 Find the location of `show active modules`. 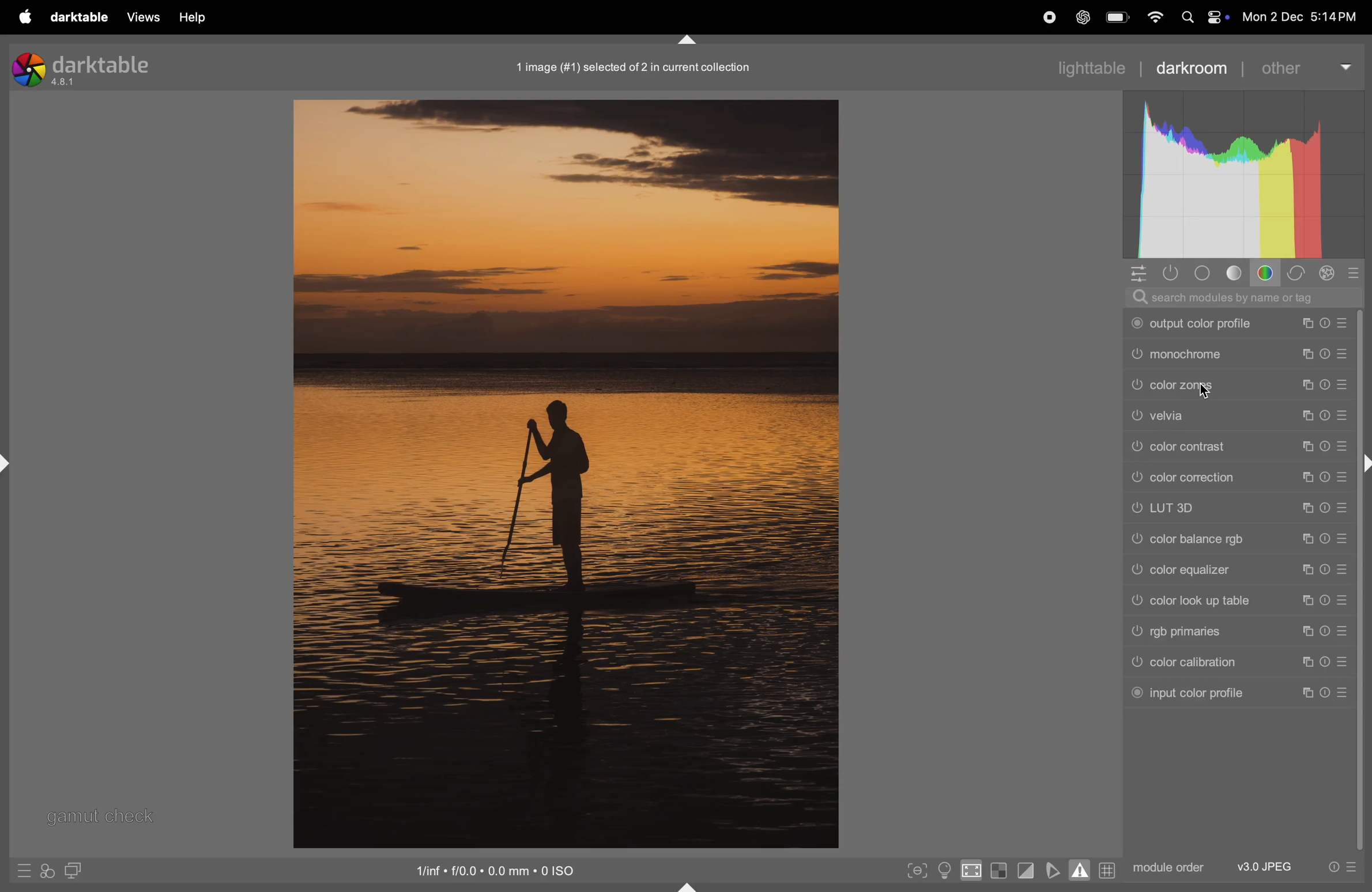

show active modules is located at coordinates (1173, 273).